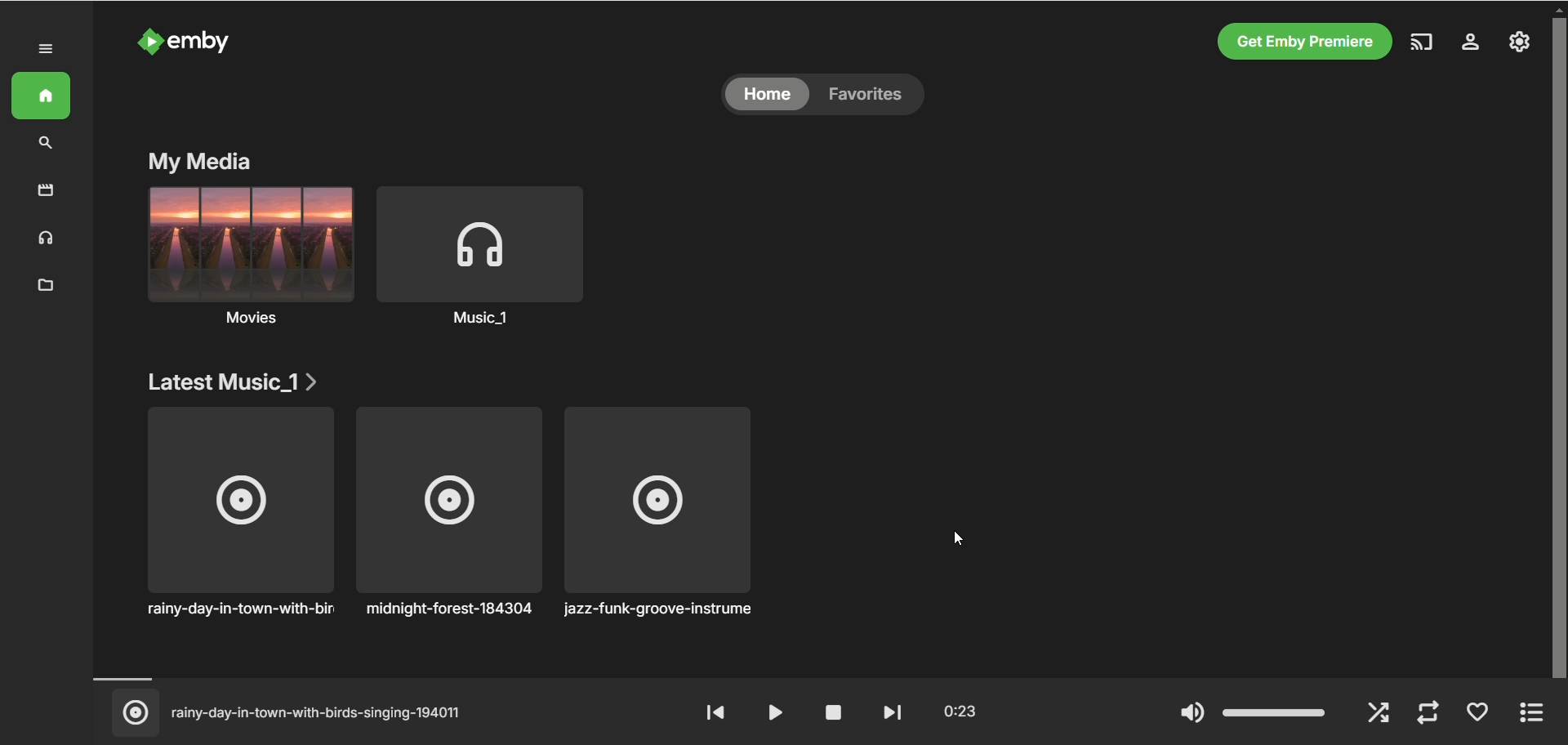 The image size is (1568, 745). What do you see at coordinates (891, 716) in the screenshot?
I see `fast forward` at bounding box center [891, 716].